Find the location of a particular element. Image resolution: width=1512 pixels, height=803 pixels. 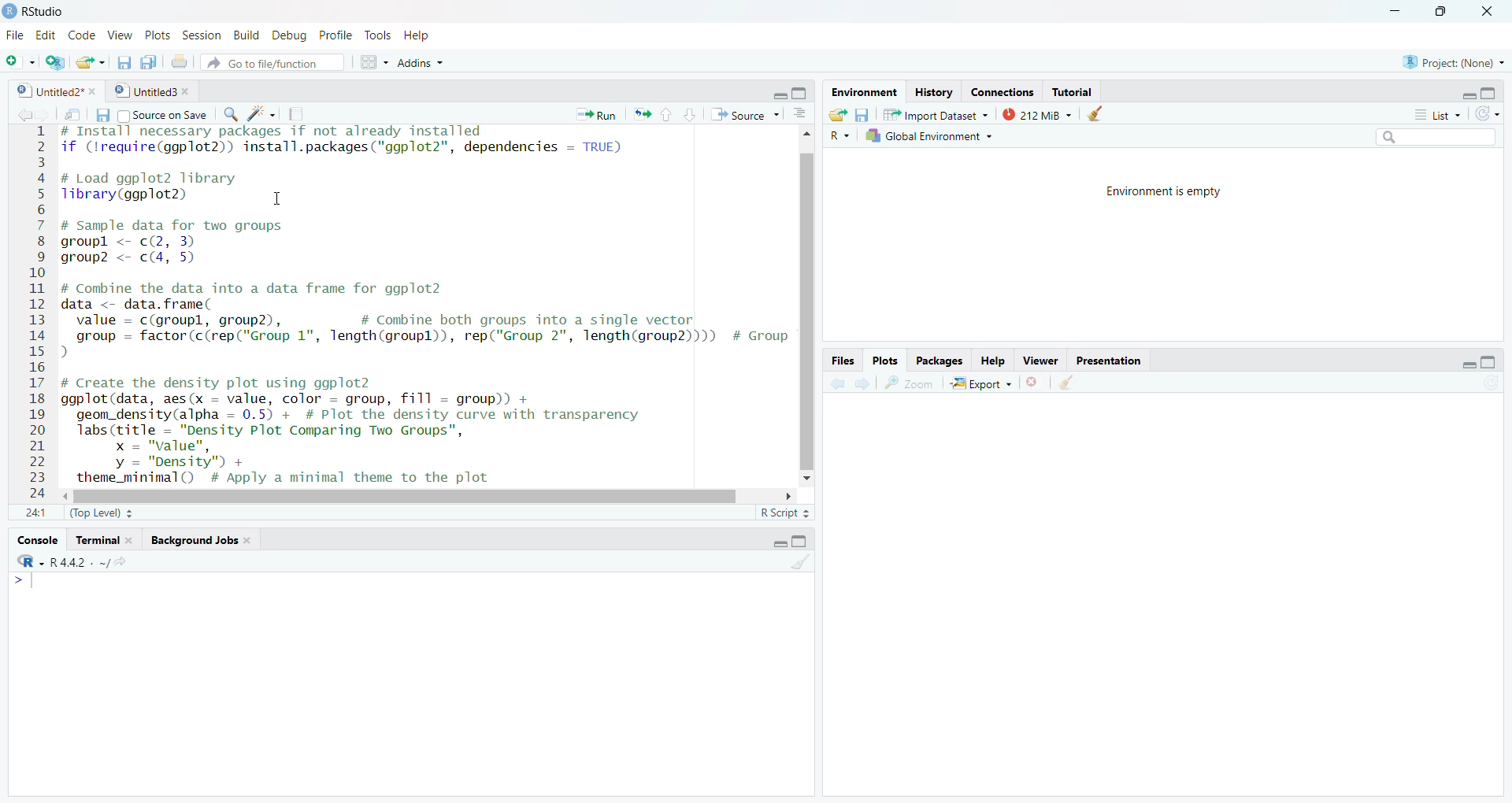

maximize is located at coordinates (806, 542).